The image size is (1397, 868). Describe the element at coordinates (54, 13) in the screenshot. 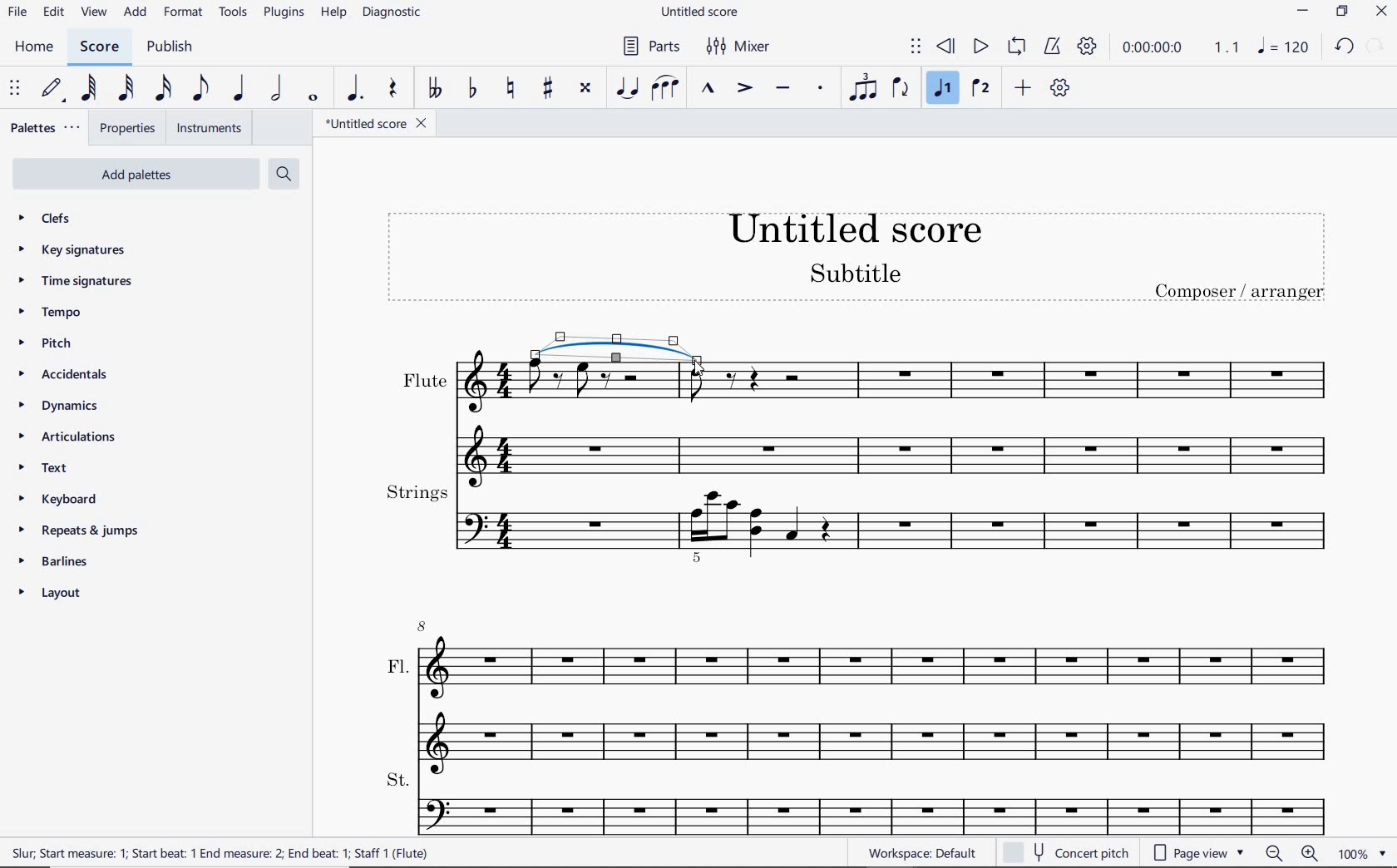

I see `edit` at that location.